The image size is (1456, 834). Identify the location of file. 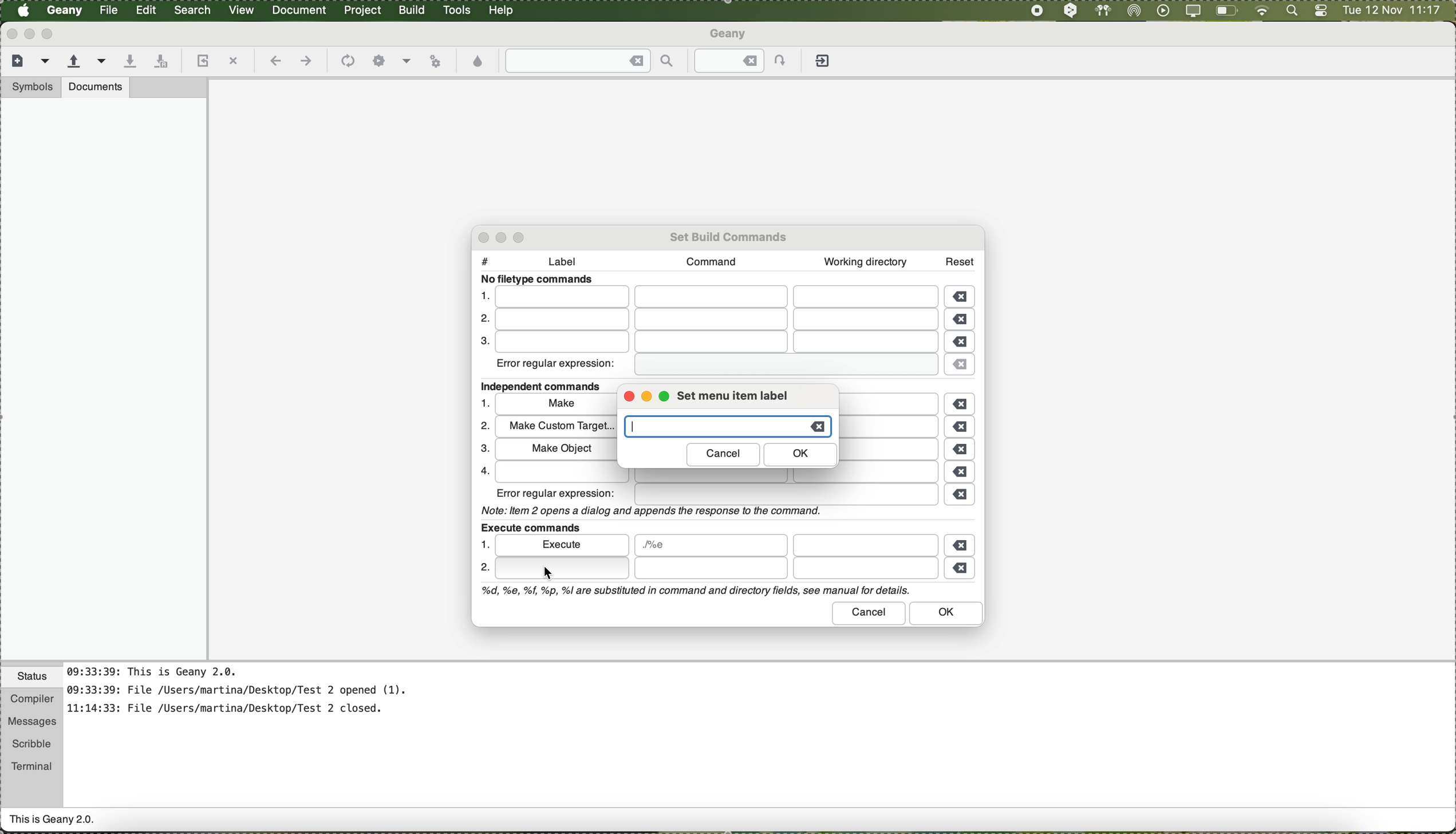
(110, 10).